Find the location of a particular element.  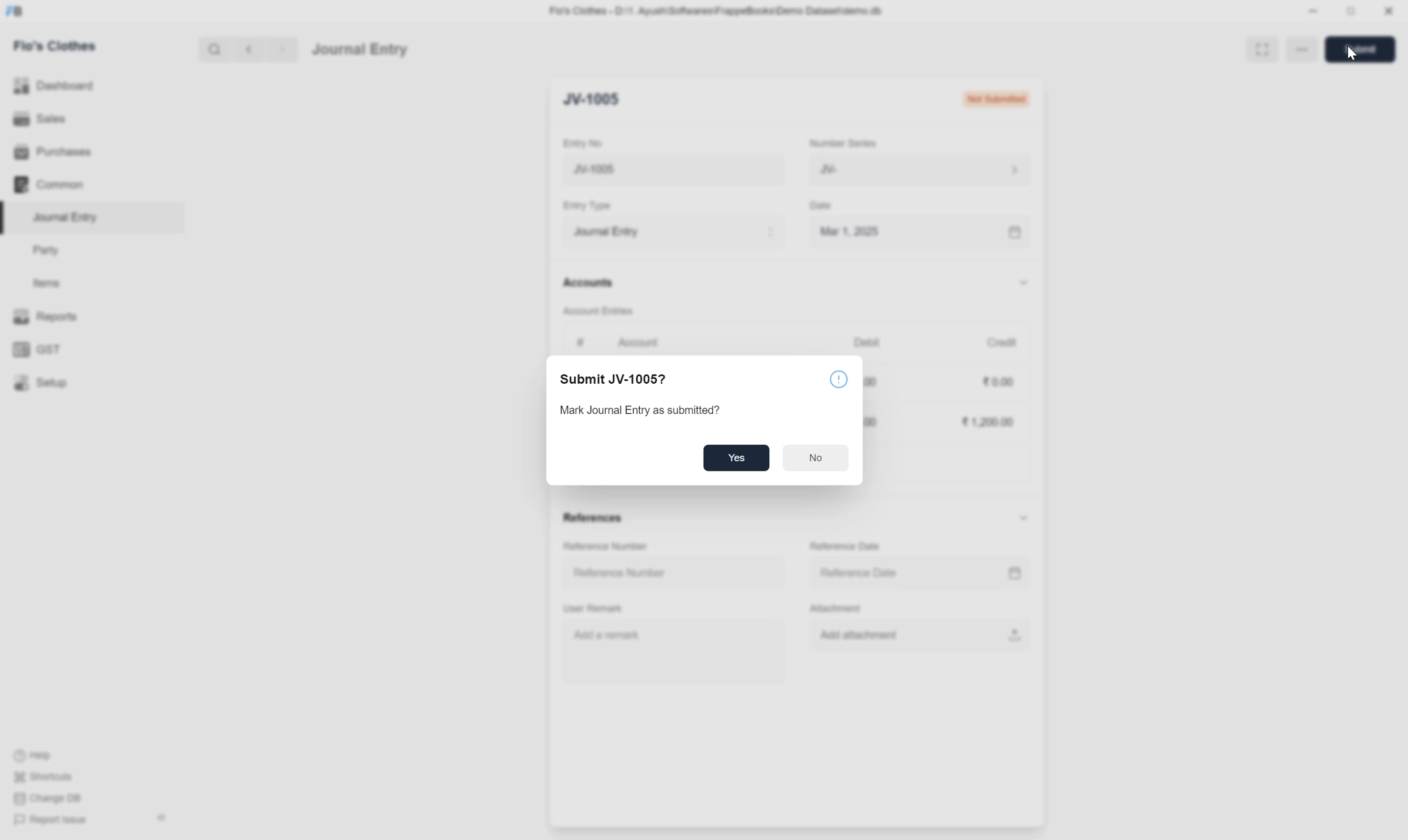

Journal Entry is located at coordinates (360, 50).